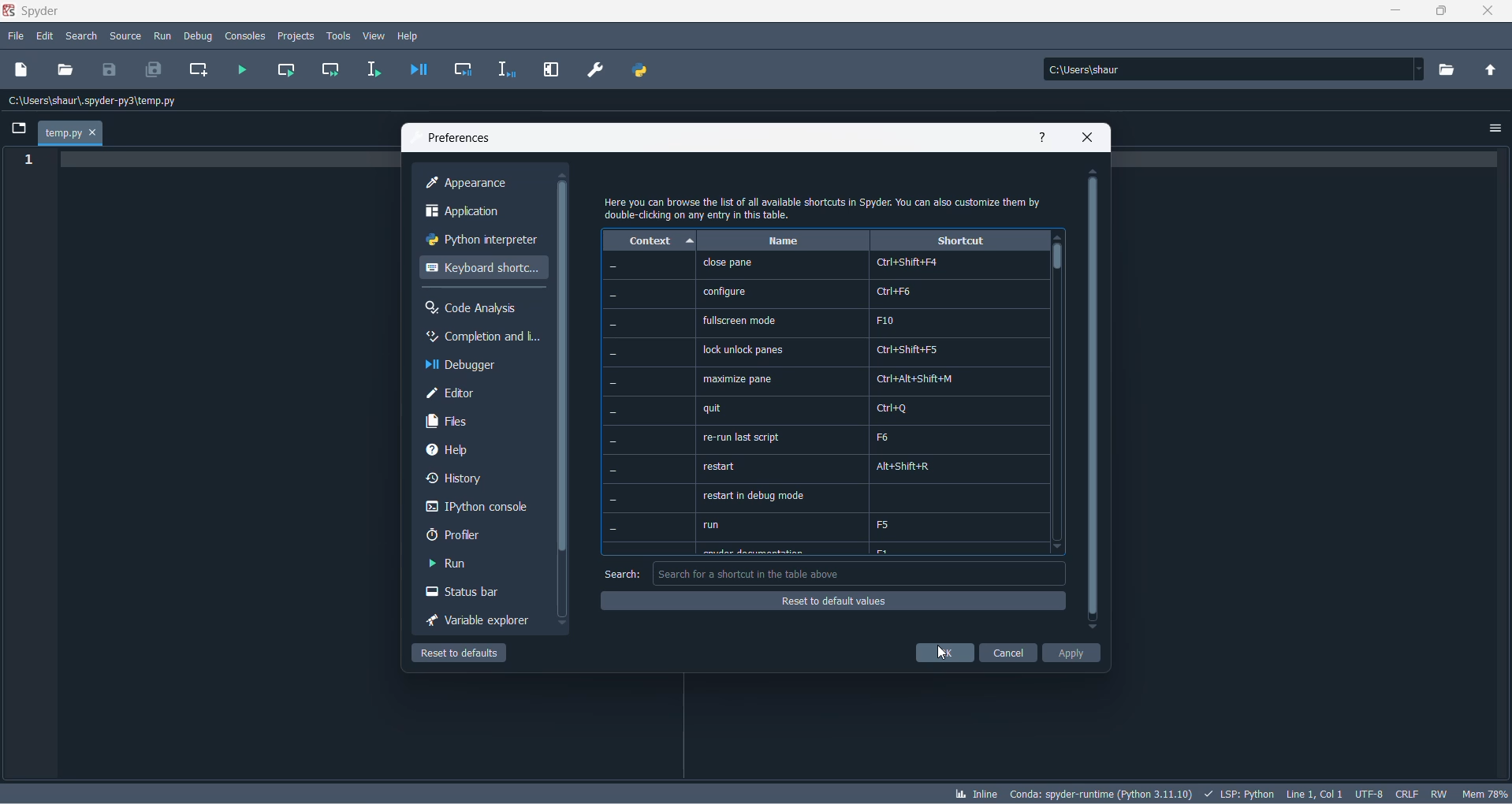  Describe the element at coordinates (834, 603) in the screenshot. I see `reset to default values` at that location.